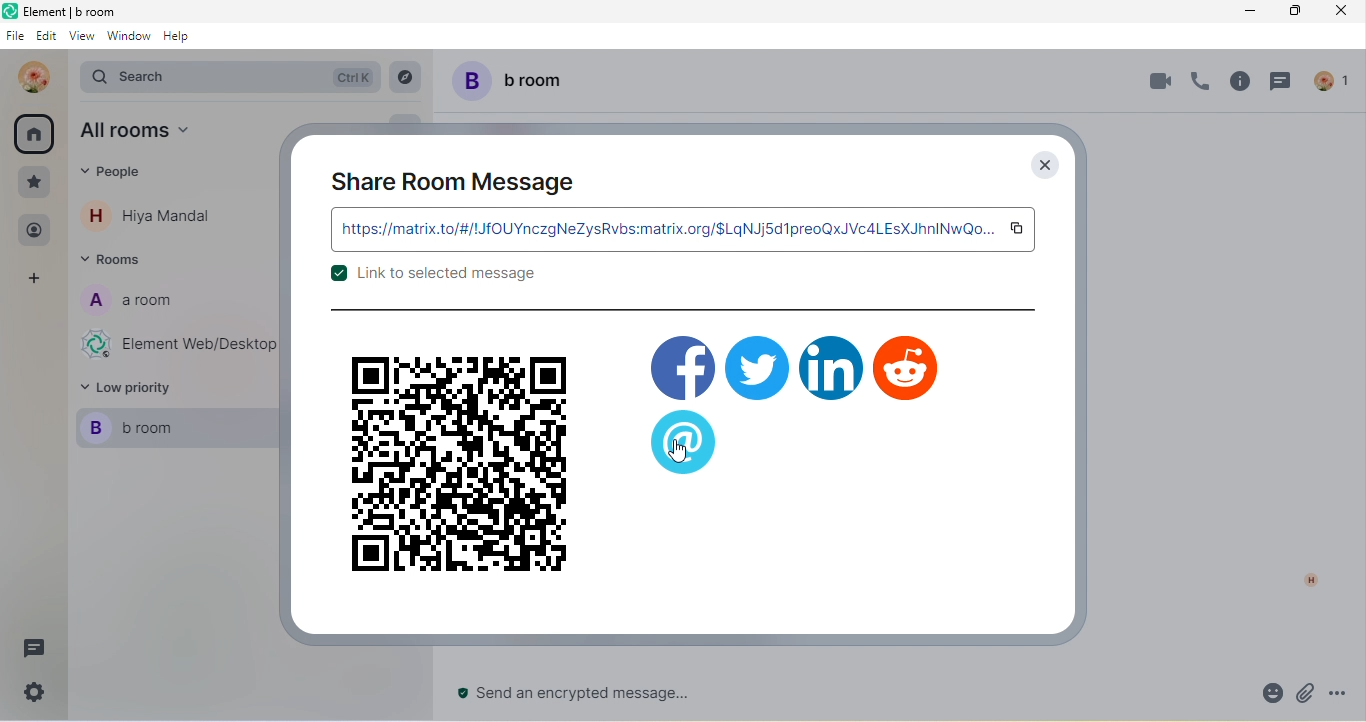 Image resolution: width=1366 pixels, height=722 pixels. Describe the element at coordinates (1043, 165) in the screenshot. I see `close` at that location.